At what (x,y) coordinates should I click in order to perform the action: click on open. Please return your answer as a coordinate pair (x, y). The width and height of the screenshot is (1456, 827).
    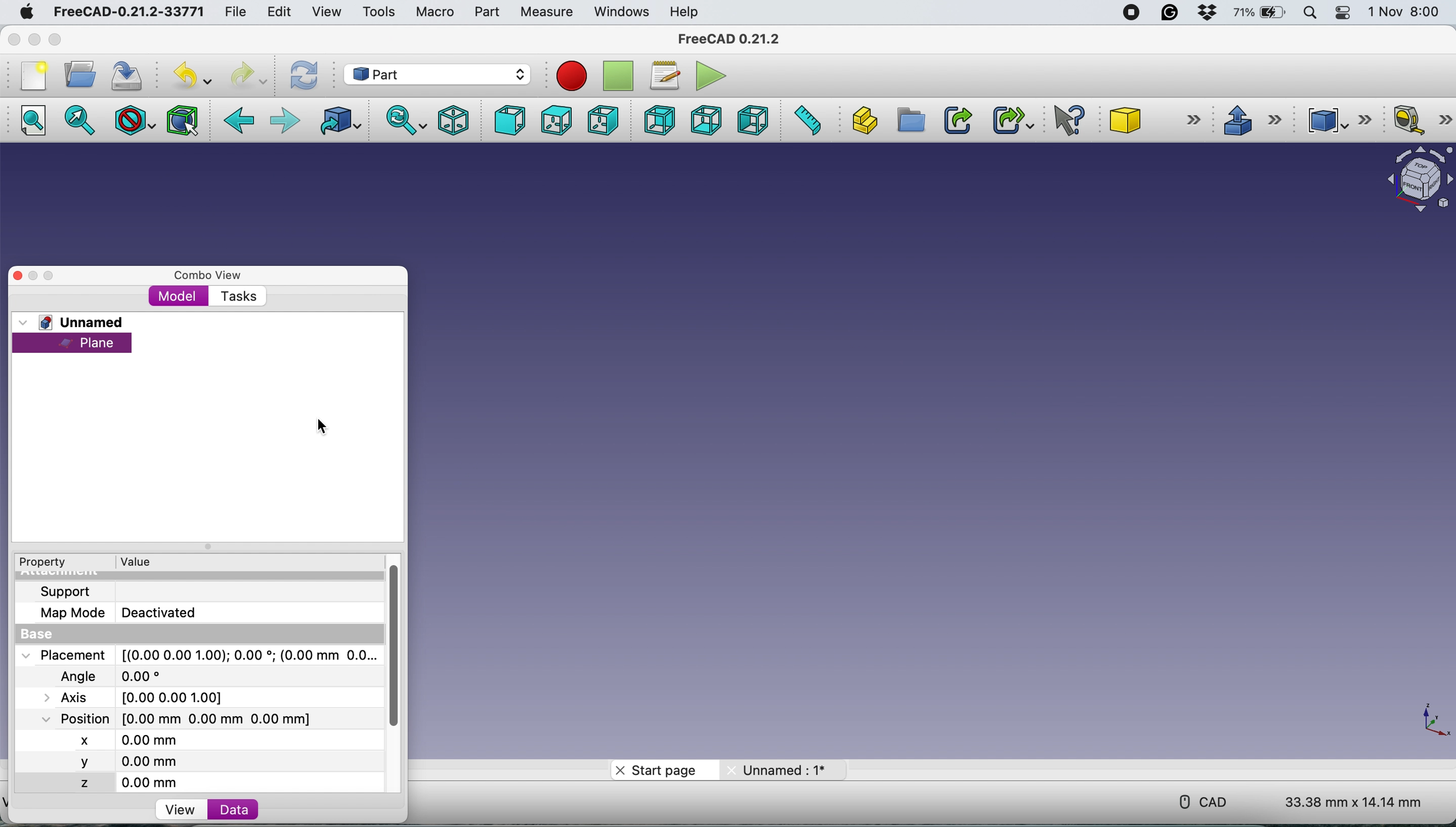
    Looking at the image, I should click on (80, 74).